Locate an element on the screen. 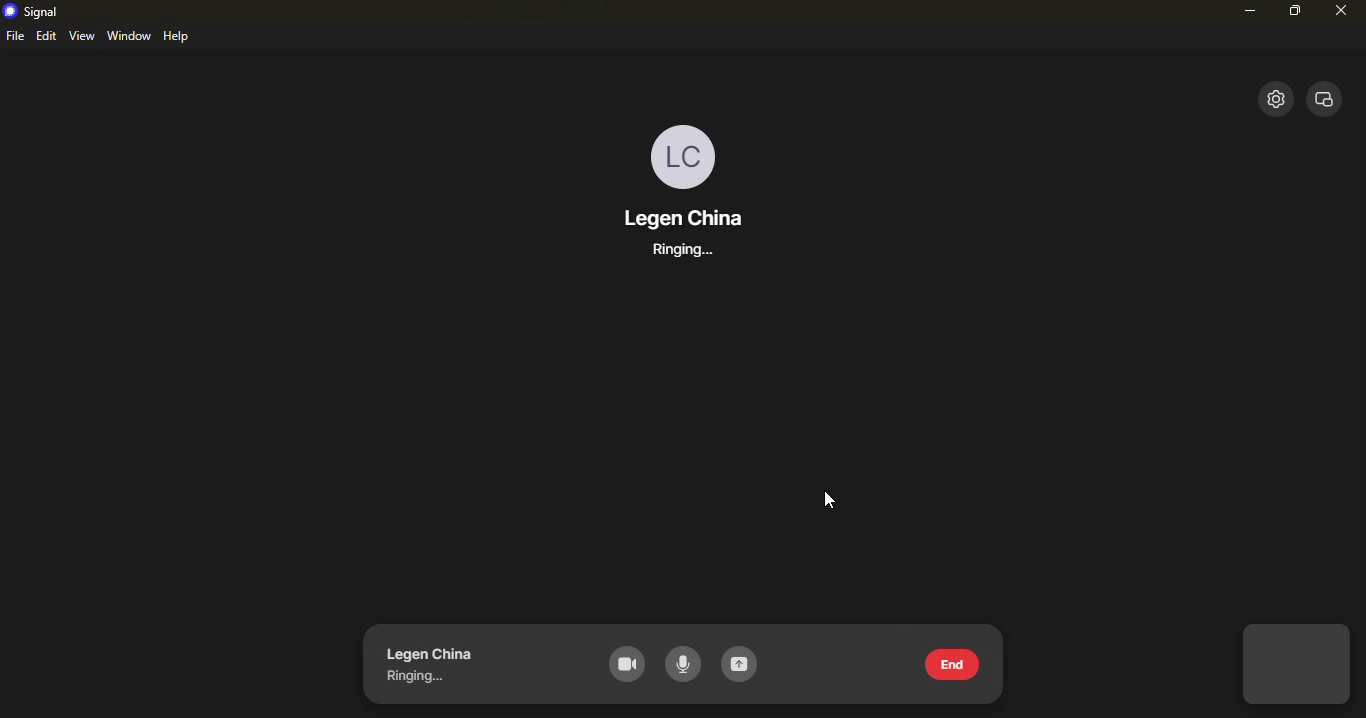 Image resolution: width=1366 pixels, height=718 pixels. edit is located at coordinates (46, 35).